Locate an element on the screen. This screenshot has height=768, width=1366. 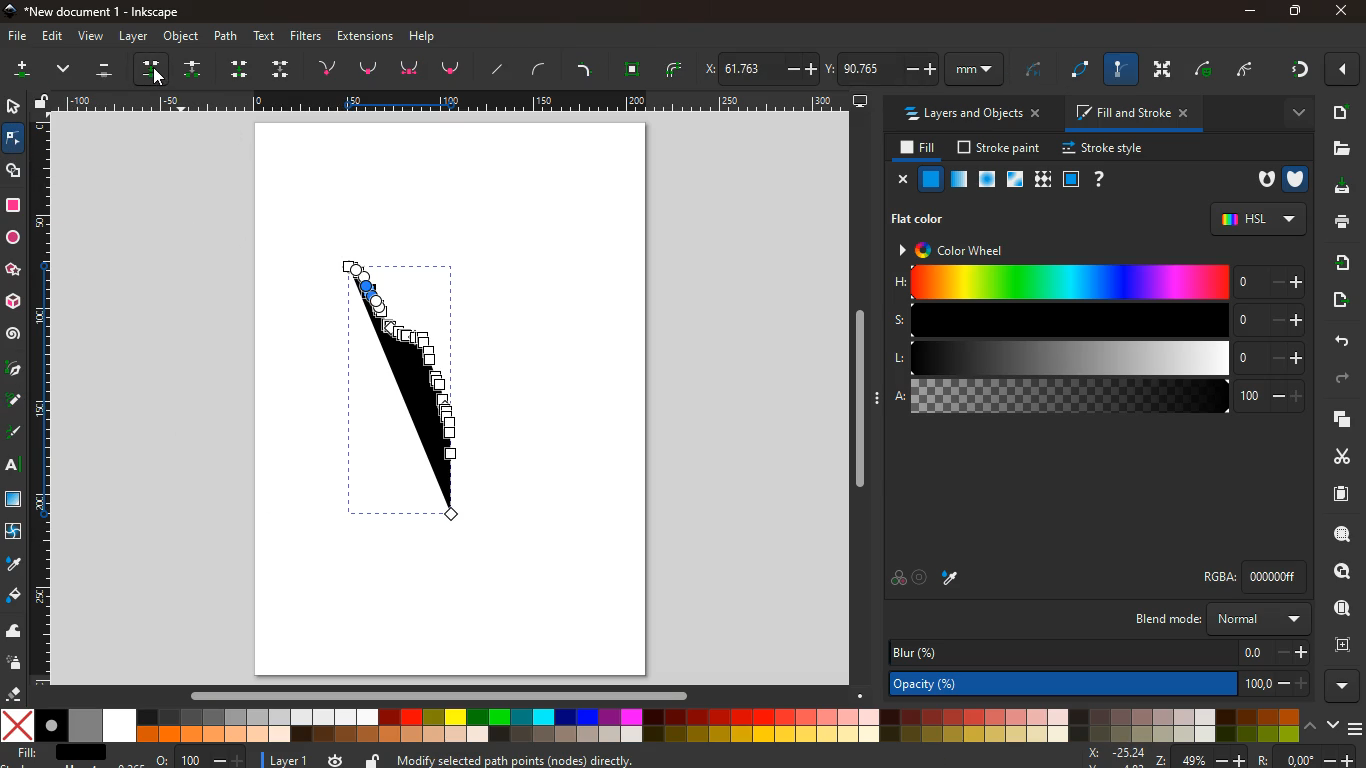
more is located at coordinates (1291, 113).